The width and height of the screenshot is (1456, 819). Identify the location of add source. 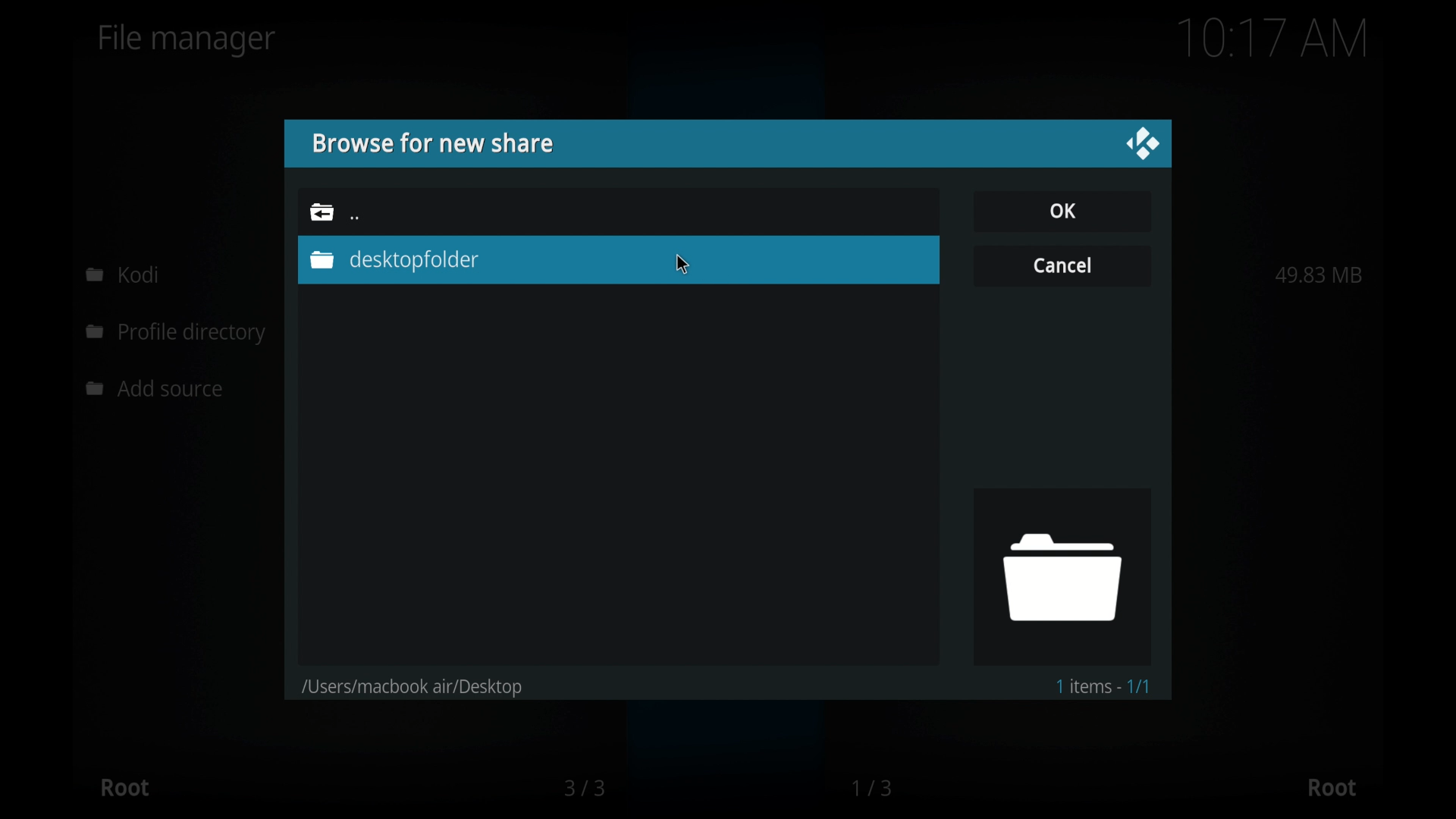
(158, 389).